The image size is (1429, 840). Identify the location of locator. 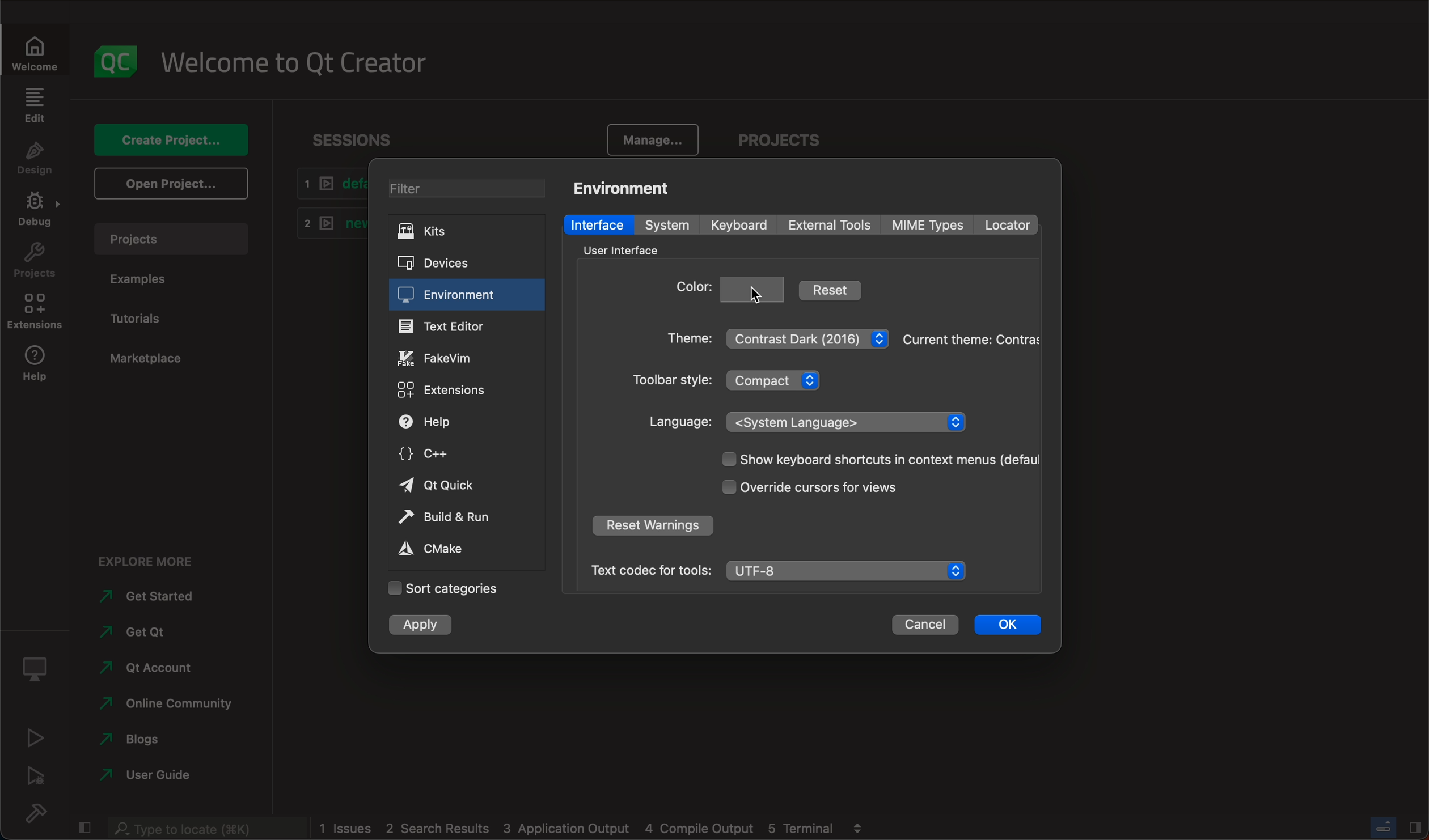
(1006, 225).